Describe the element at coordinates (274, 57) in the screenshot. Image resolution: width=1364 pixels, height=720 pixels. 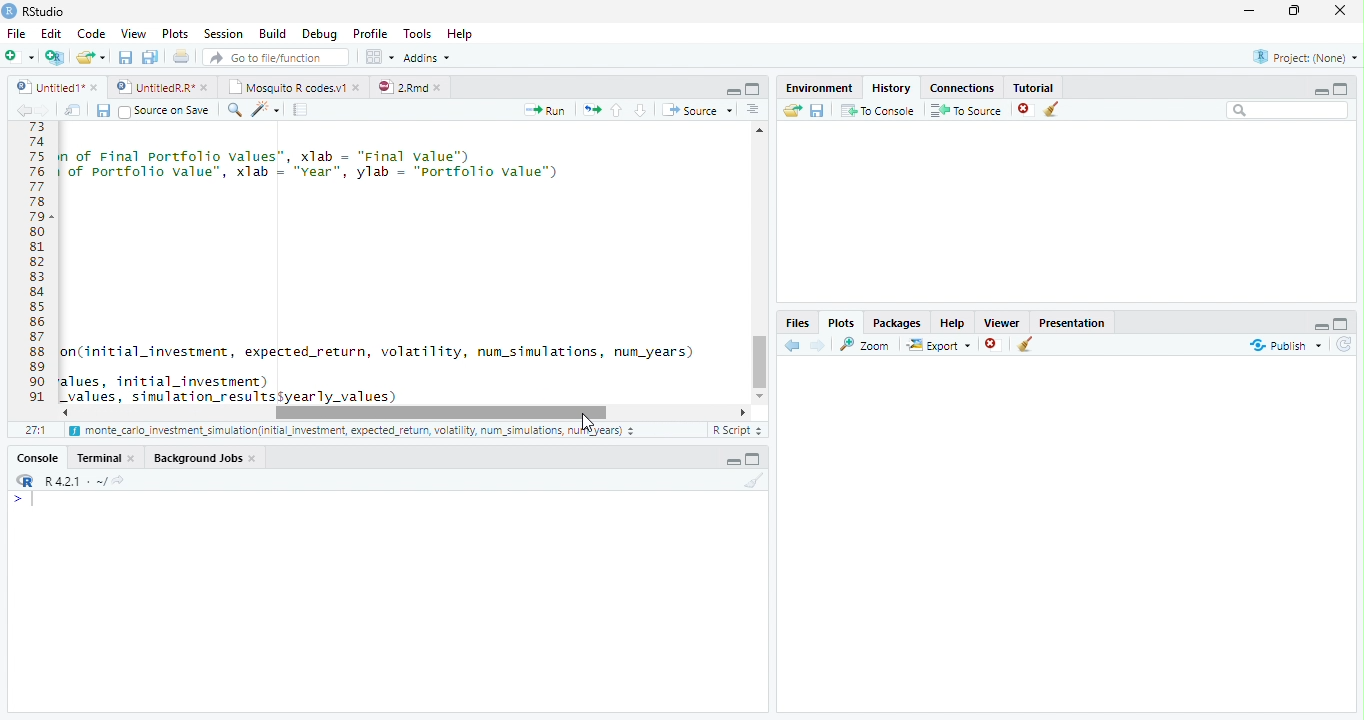
I see `Go to file/function` at that location.